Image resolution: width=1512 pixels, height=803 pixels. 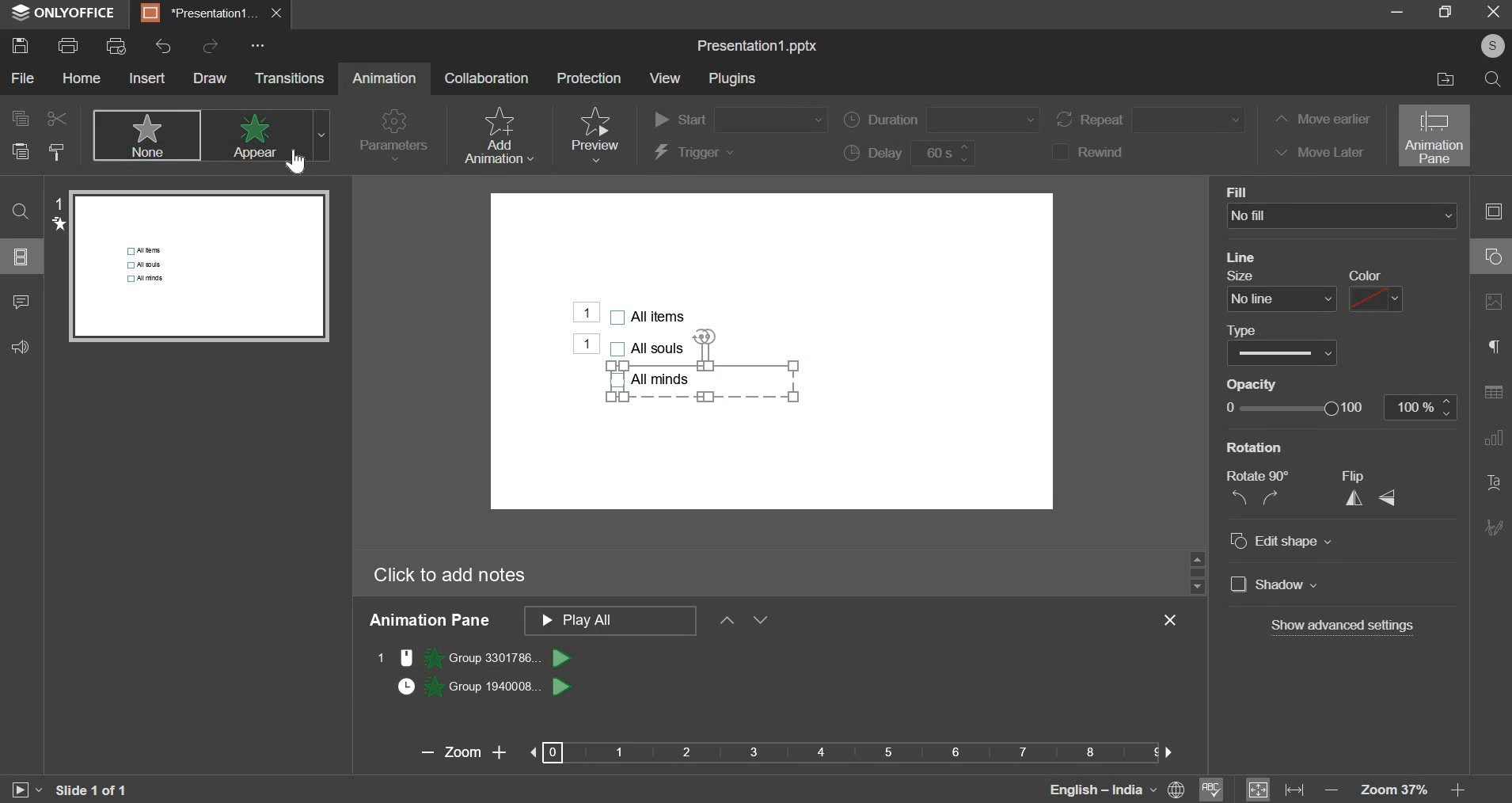 What do you see at coordinates (82, 78) in the screenshot?
I see `home` at bounding box center [82, 78].